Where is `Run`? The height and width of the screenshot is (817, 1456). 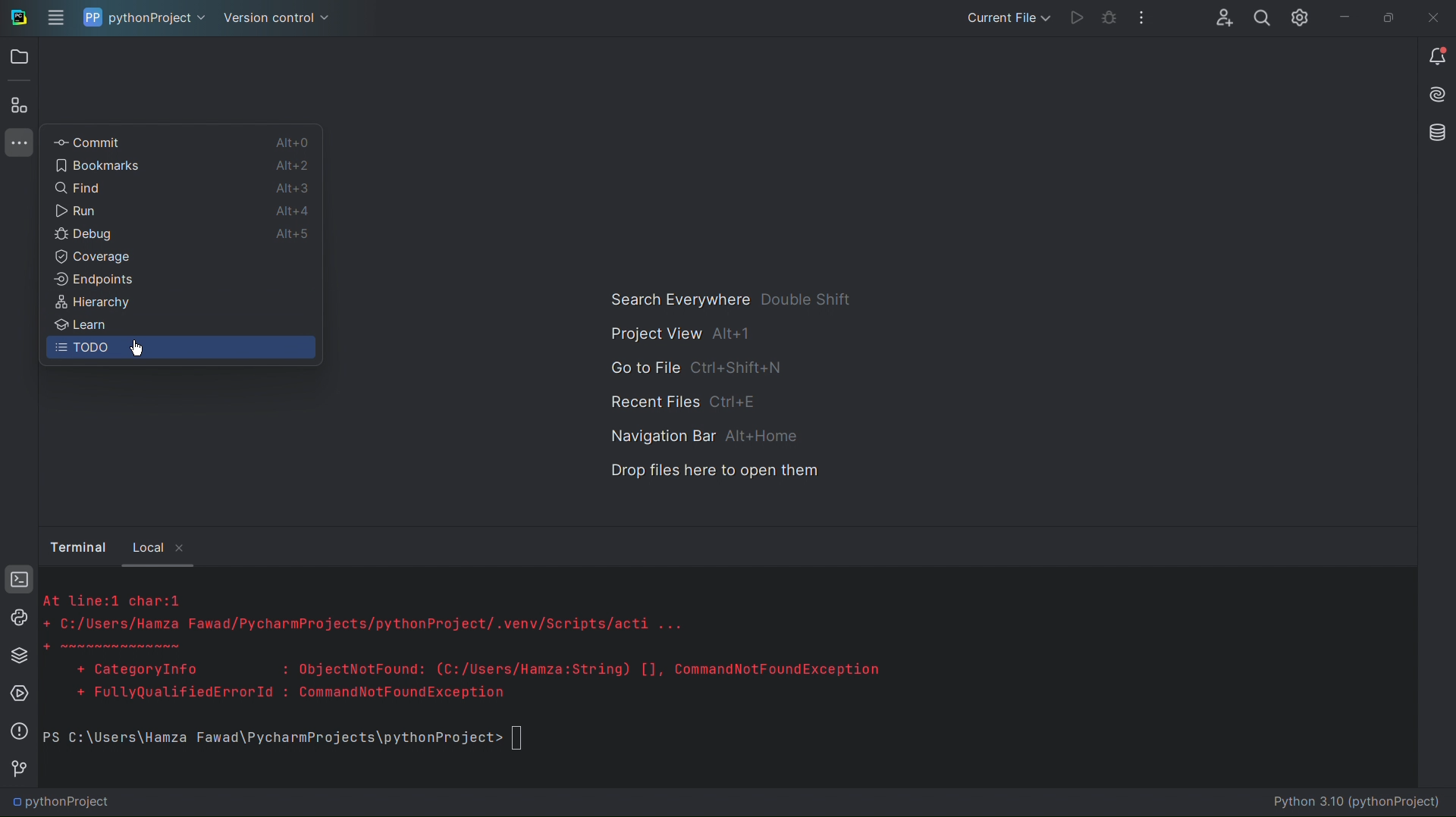 Run is located at coordinates (1076, 16).